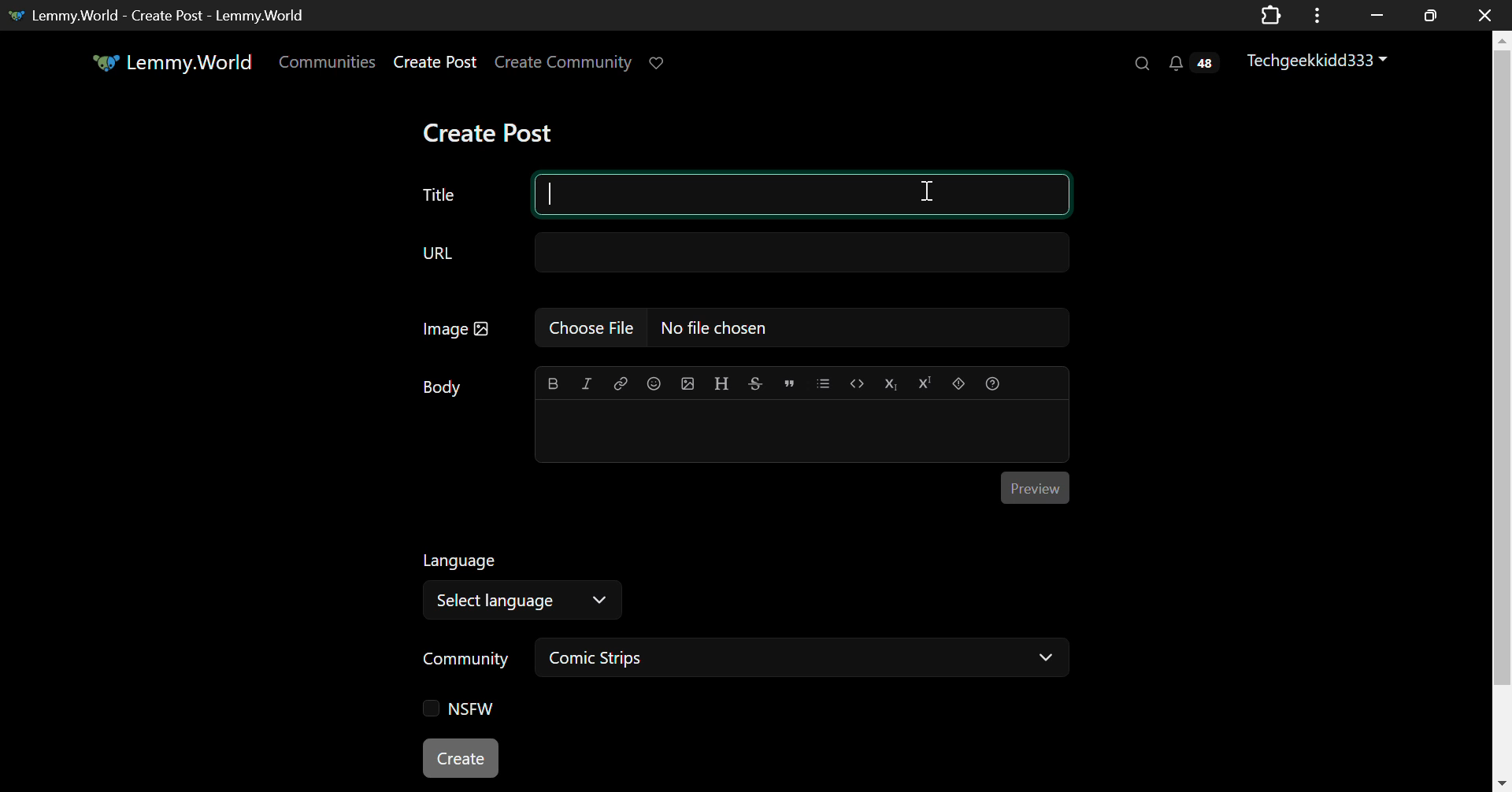  What do you see at coordinates (462, 660) in the screenshot?
I see `Community` at bounding box center [462, 660].